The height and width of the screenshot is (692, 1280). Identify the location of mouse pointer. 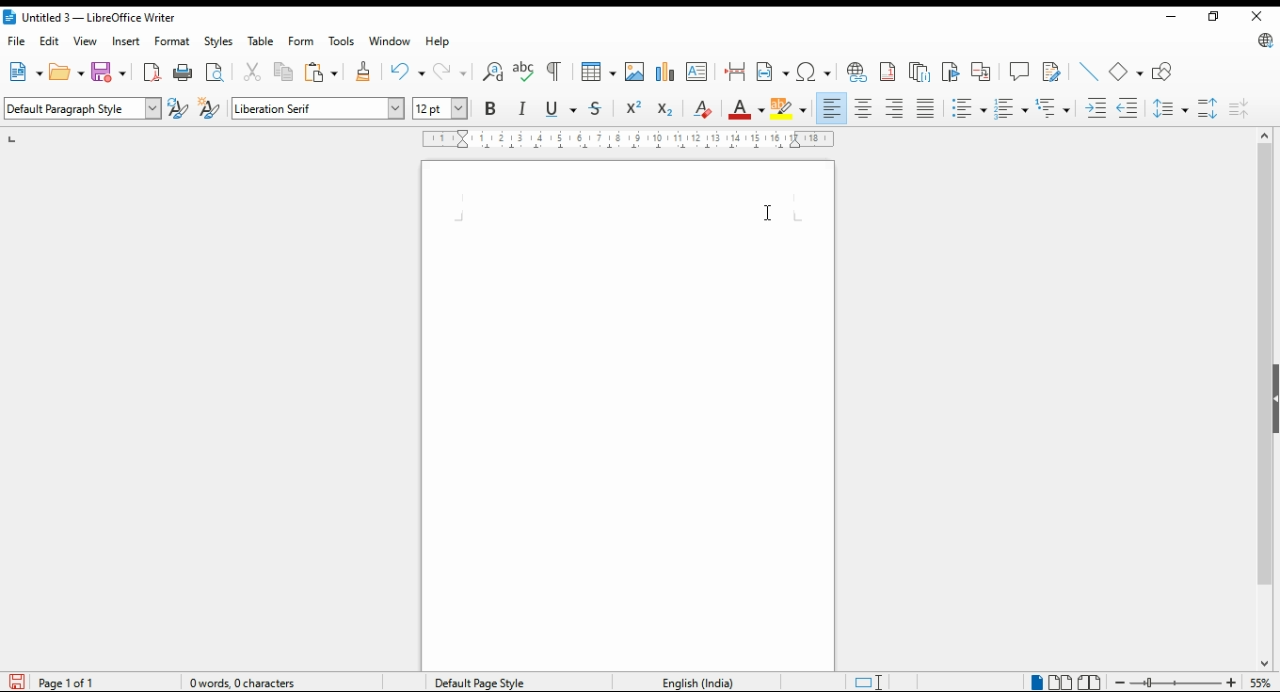
(765, 214).